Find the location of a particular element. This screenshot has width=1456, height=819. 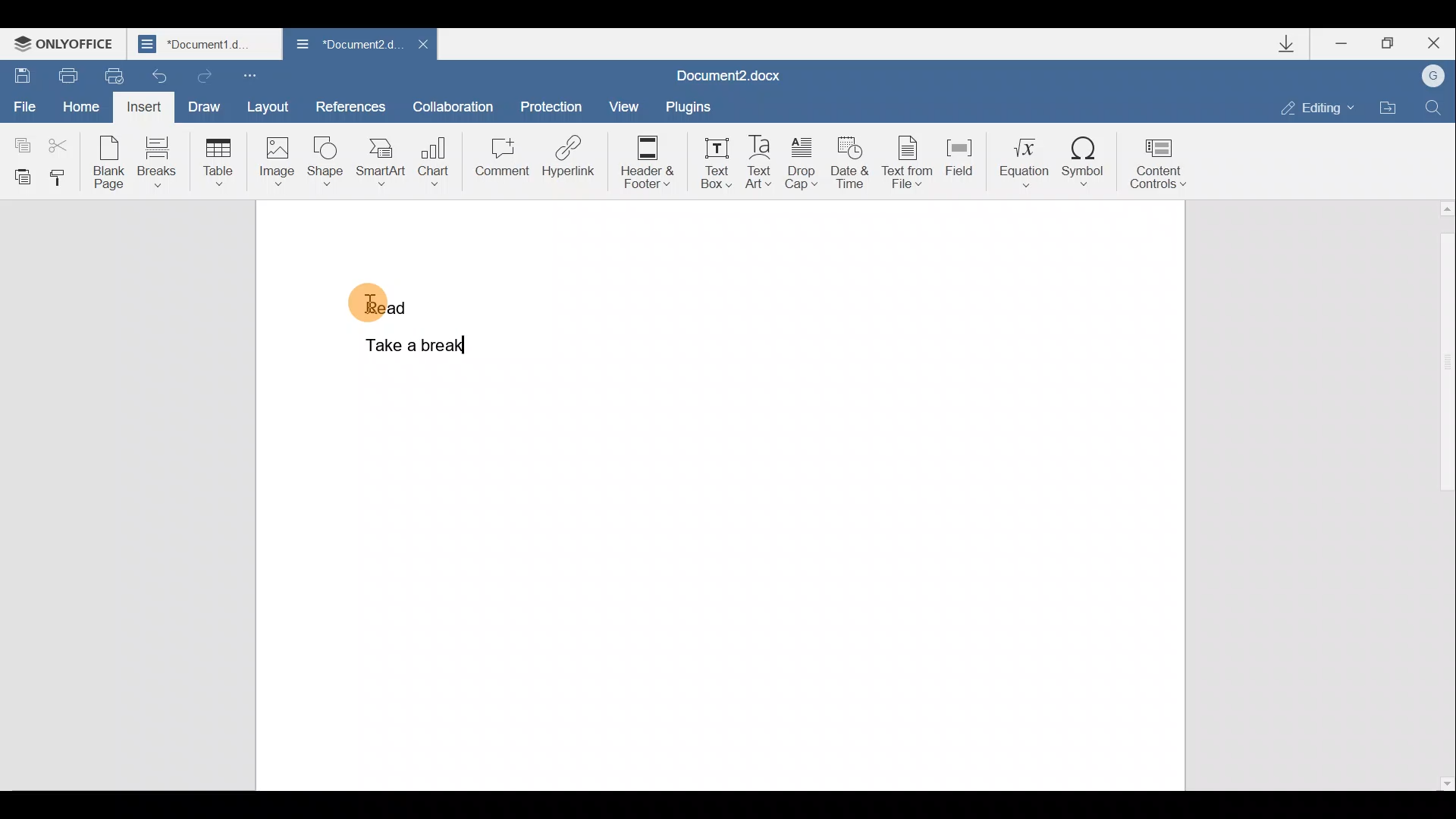

Close is located at coordinates (423, 44).